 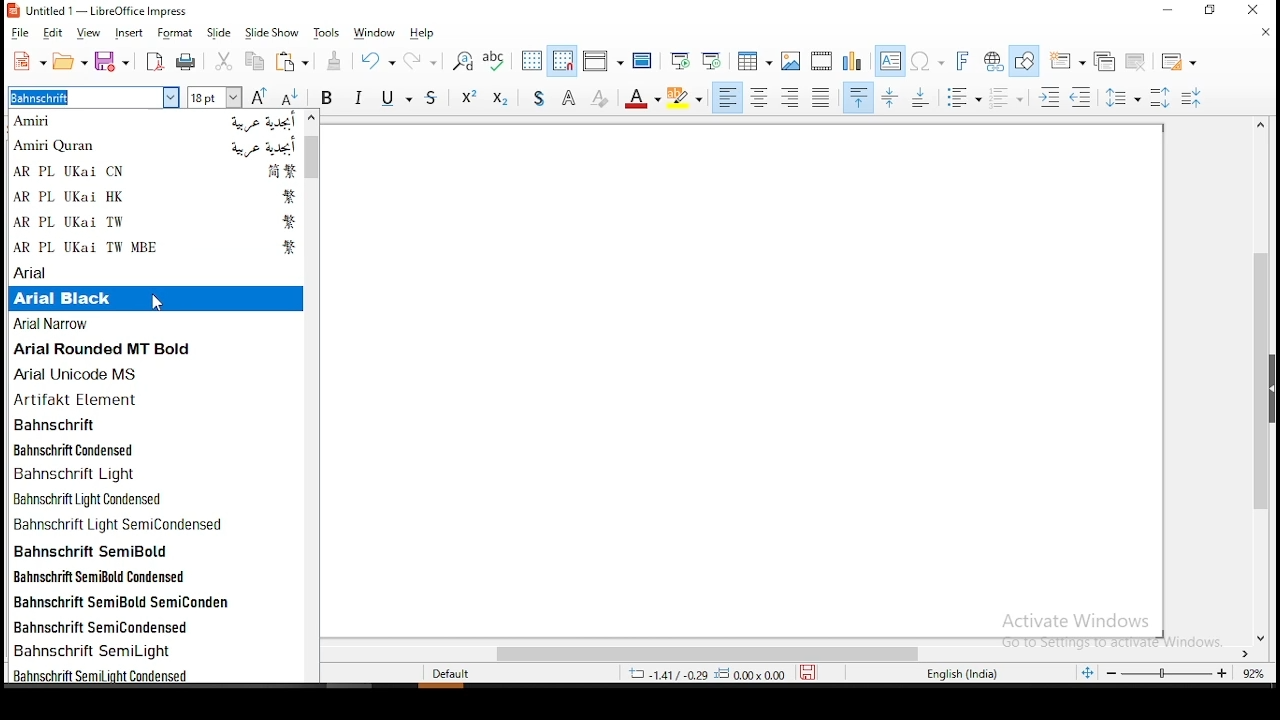 What do you see at coordinates (425, 59) in the screenshot?
I see `redo` at bounding box center [425, 59].